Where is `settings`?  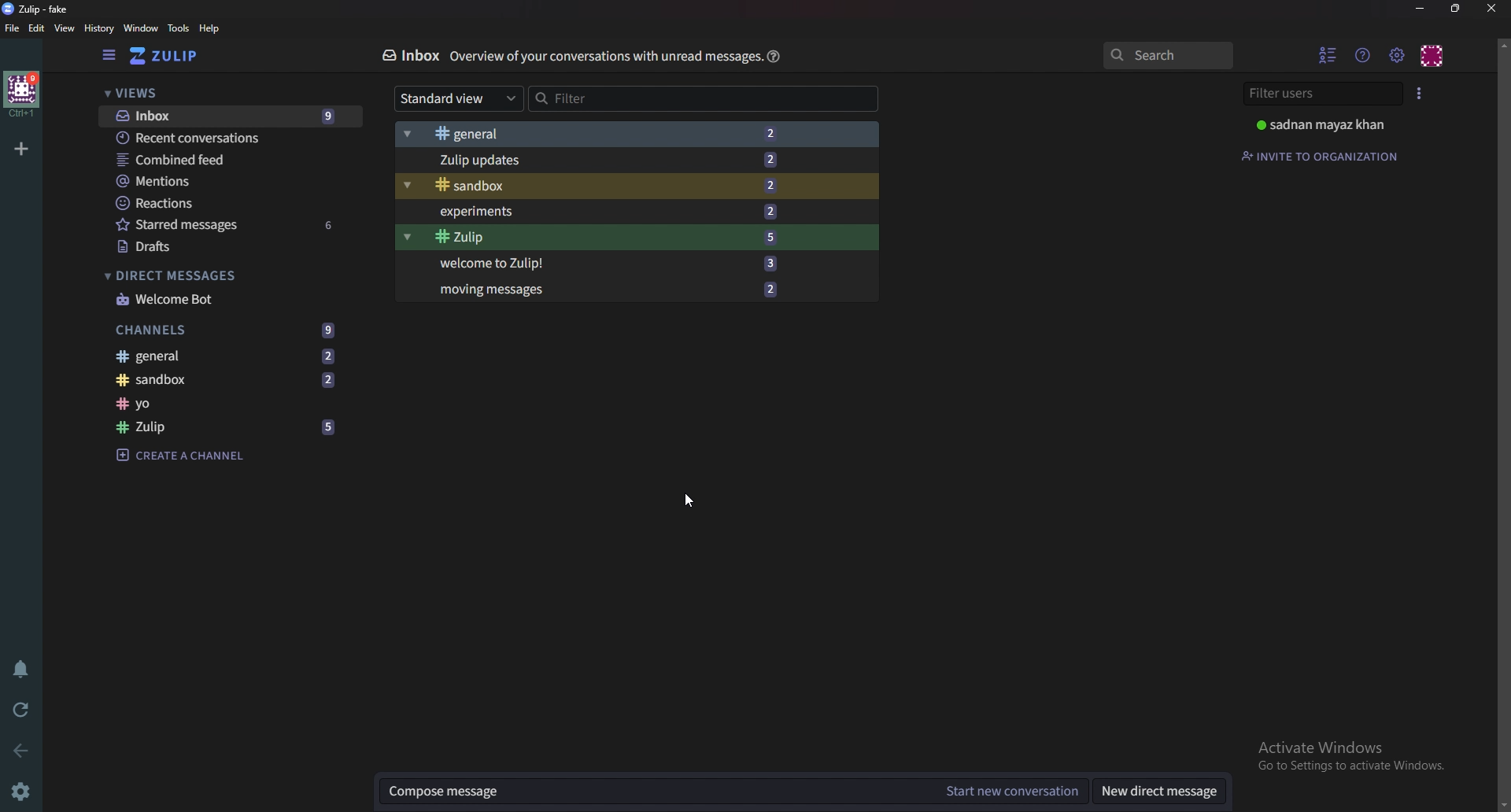 settings is located at coordinates (20, 791).